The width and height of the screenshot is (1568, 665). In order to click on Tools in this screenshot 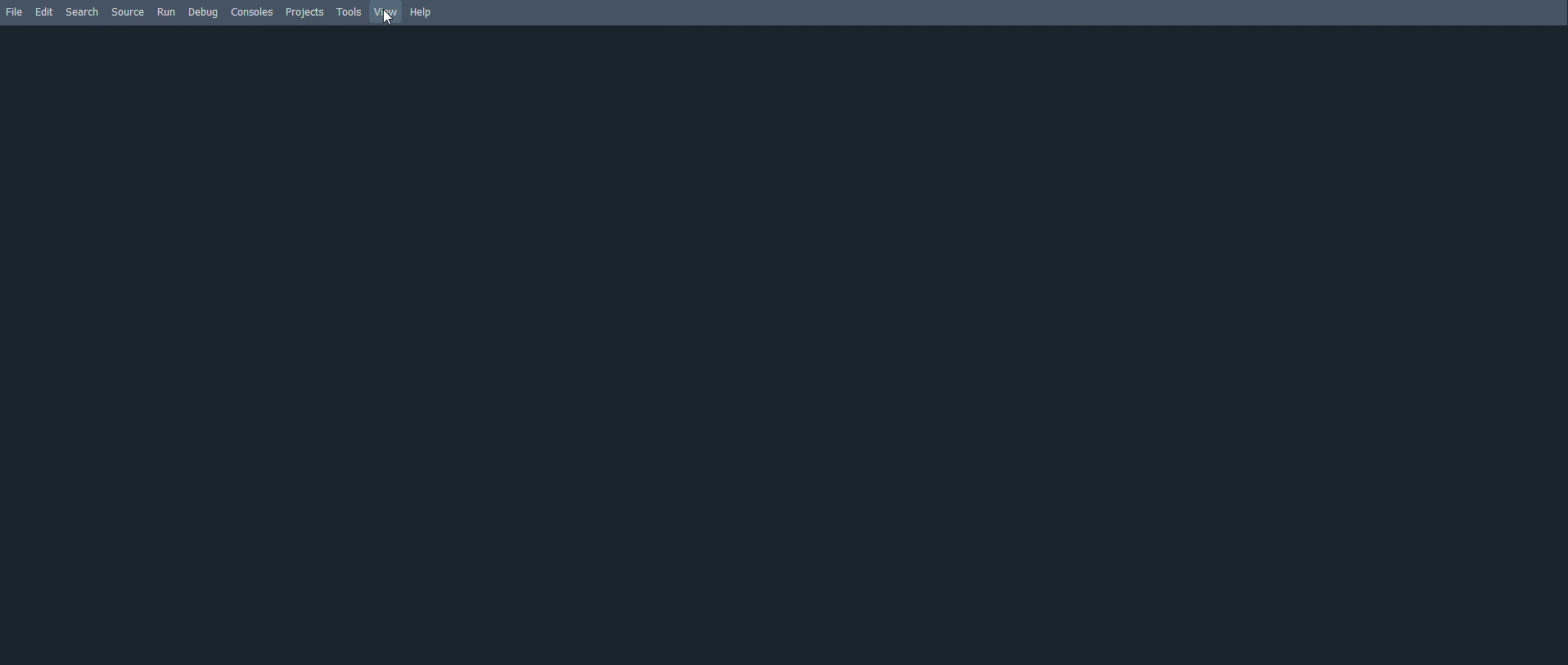, I will do `click(349, 10)`.